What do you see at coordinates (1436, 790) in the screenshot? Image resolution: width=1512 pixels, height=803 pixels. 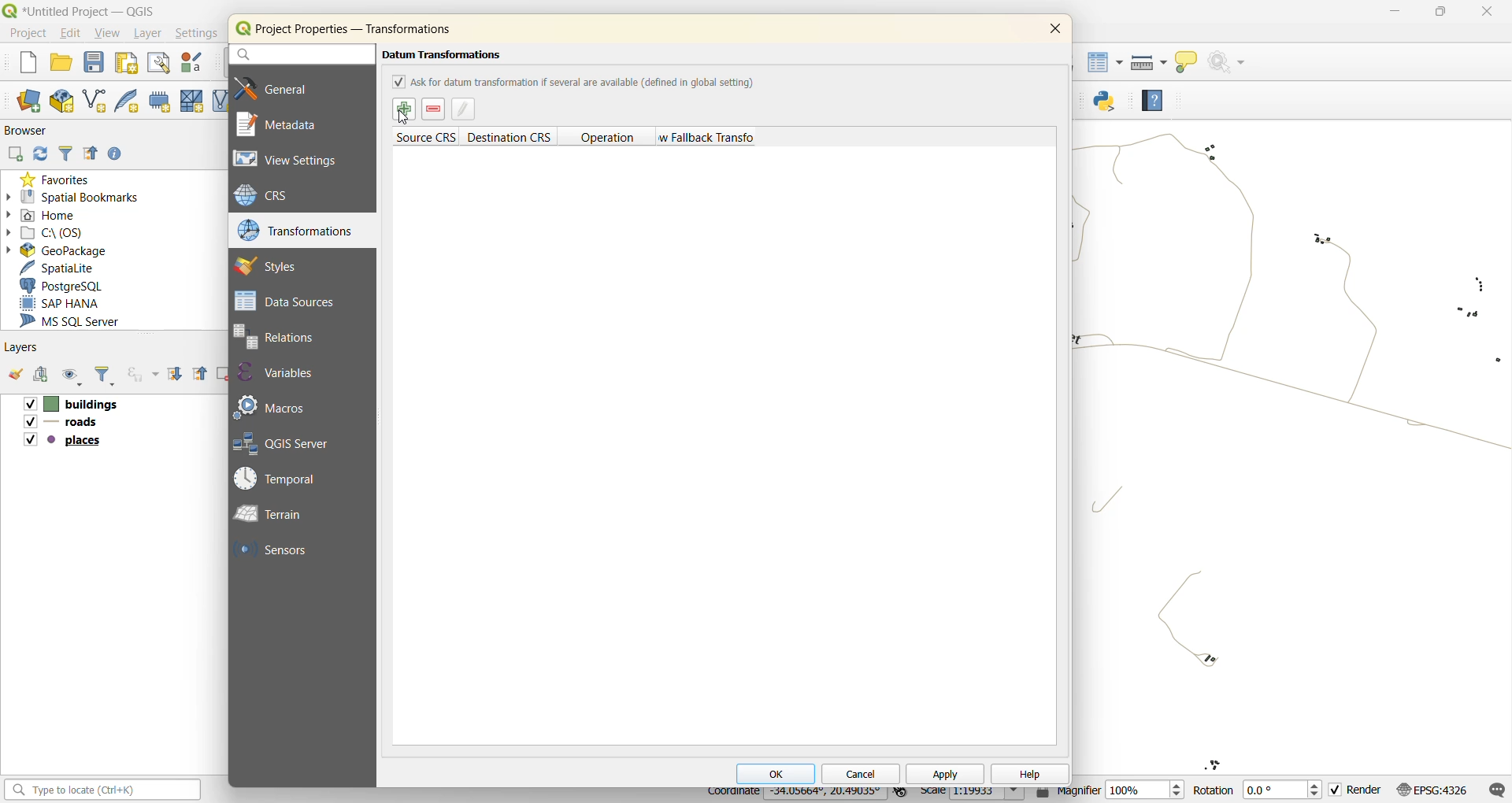 I see `crs` at bounding box center [1436, 790].